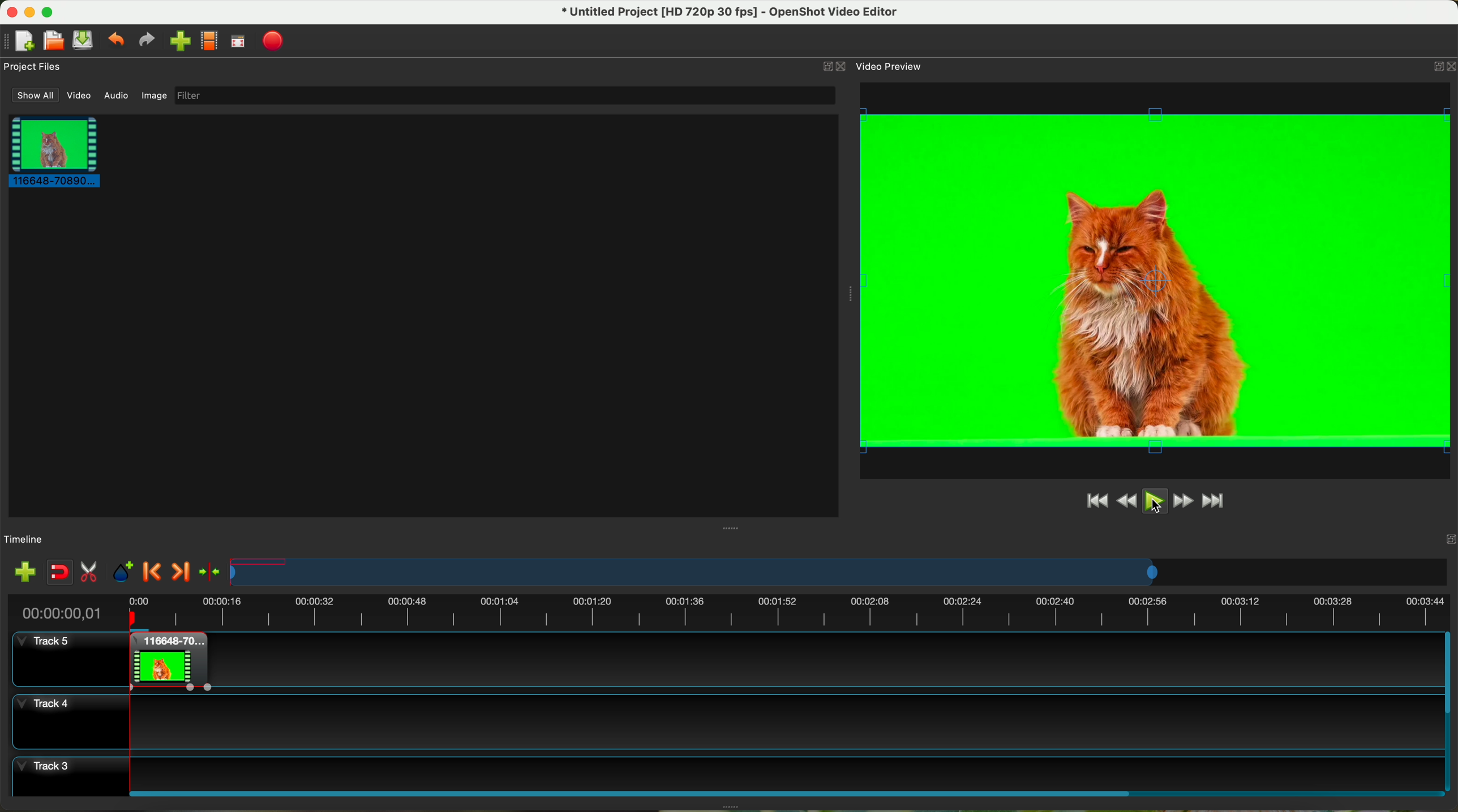 This screenshot has height=812, width=1458. What do you see at coordinates (1157, 280) in the screenshot?
I see `video` at bounding box center [1157, 280].